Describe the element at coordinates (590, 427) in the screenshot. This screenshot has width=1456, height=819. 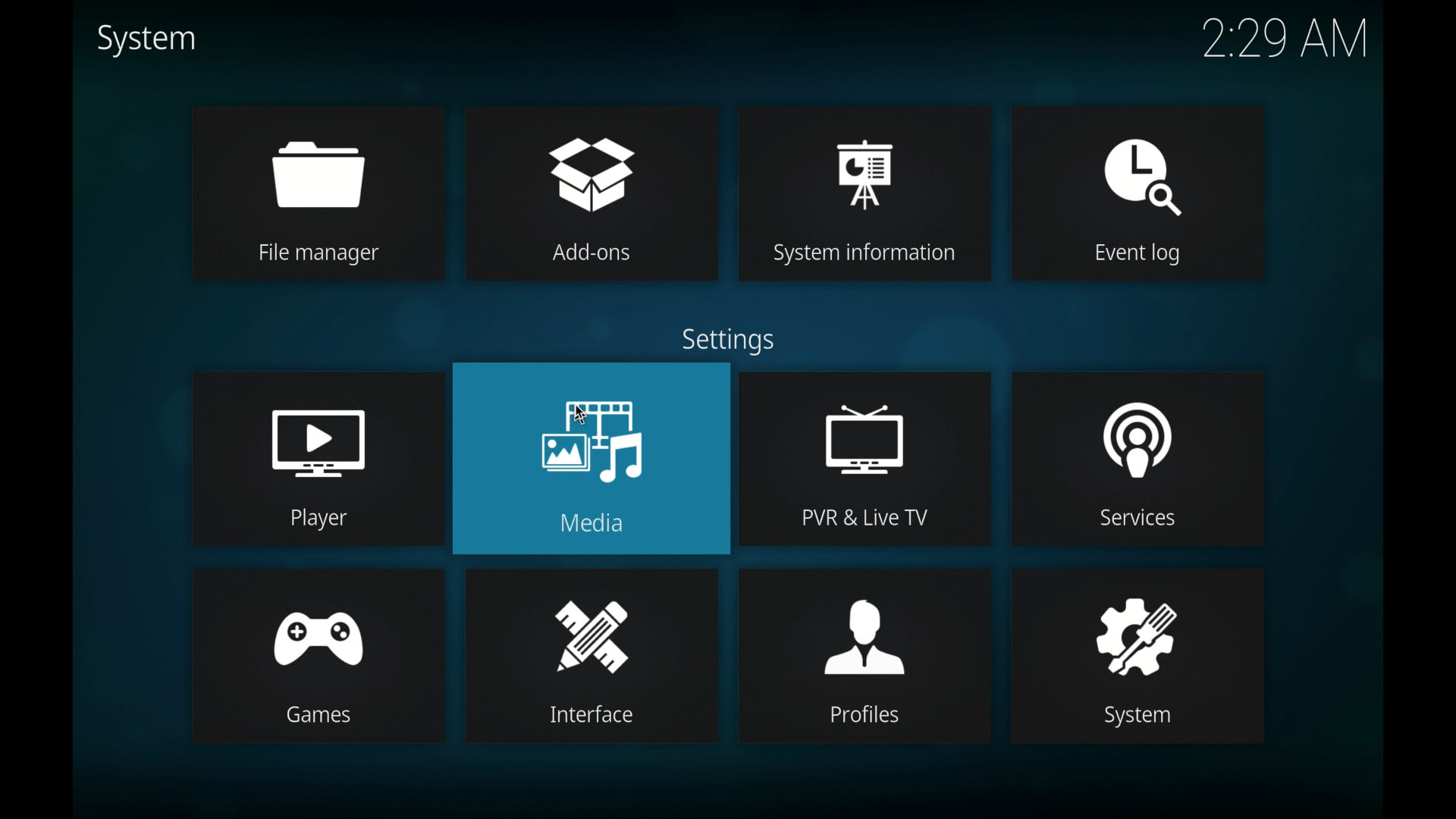
I see `media` at that location.